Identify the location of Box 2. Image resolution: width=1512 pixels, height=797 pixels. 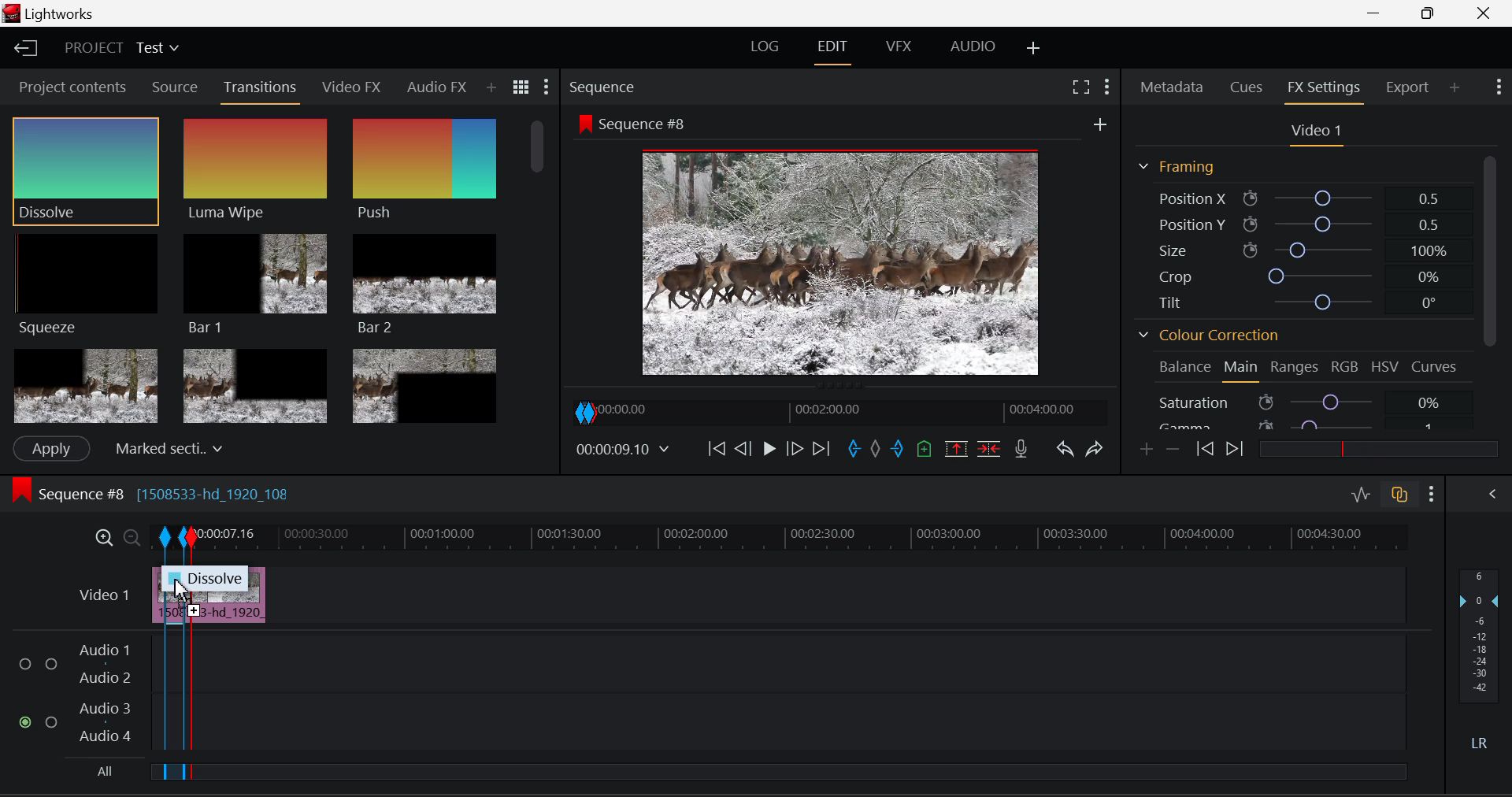
(255, 384).